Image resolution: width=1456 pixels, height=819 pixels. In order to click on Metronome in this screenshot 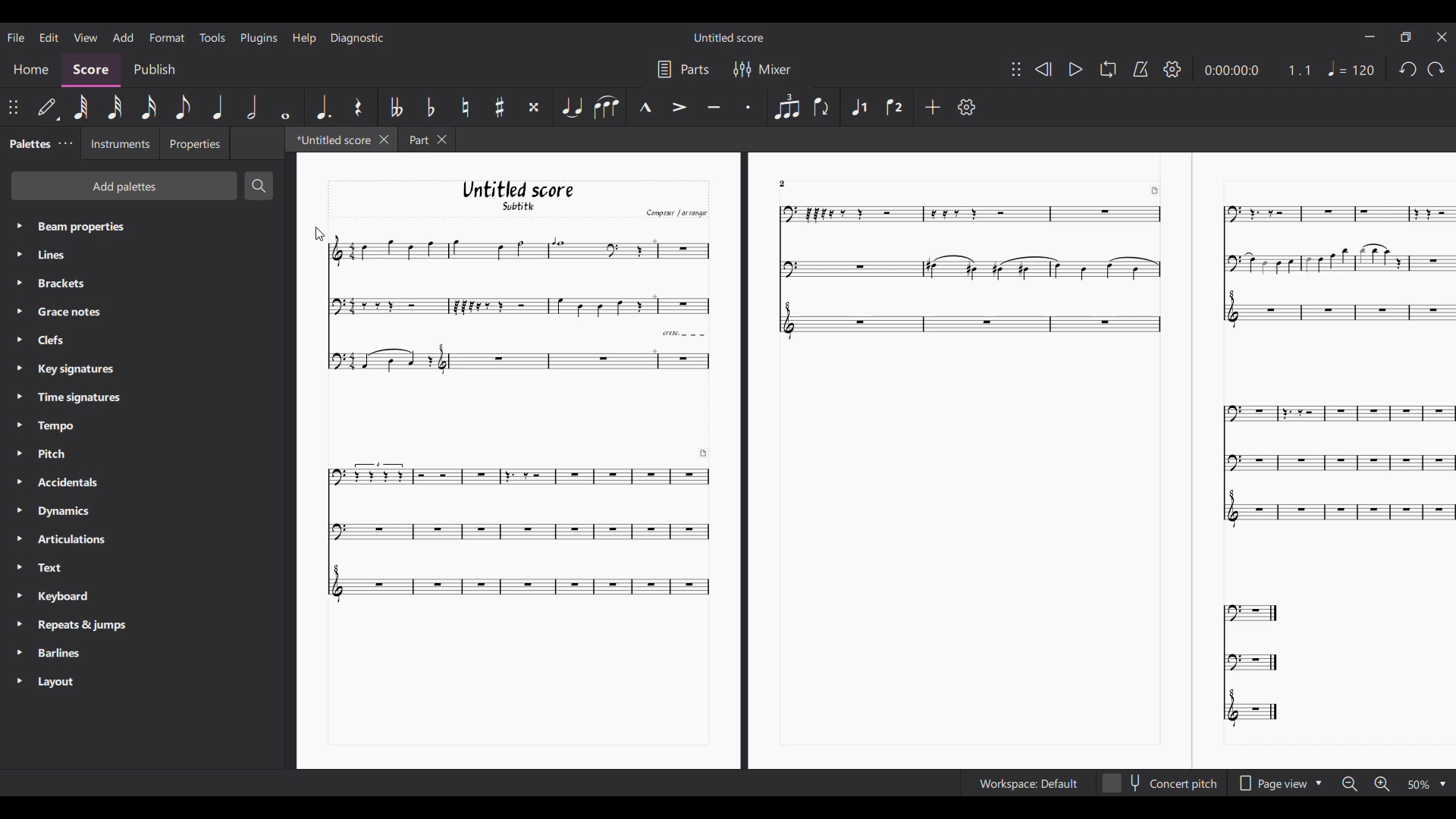, I will do `click(1141, 69)`.